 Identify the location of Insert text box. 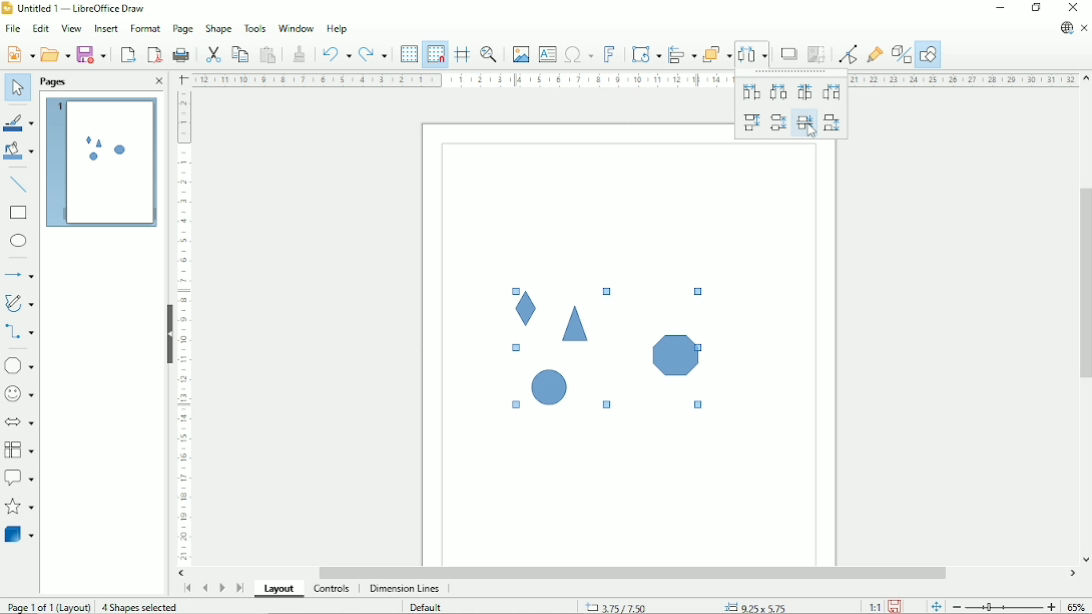
(547, 54).